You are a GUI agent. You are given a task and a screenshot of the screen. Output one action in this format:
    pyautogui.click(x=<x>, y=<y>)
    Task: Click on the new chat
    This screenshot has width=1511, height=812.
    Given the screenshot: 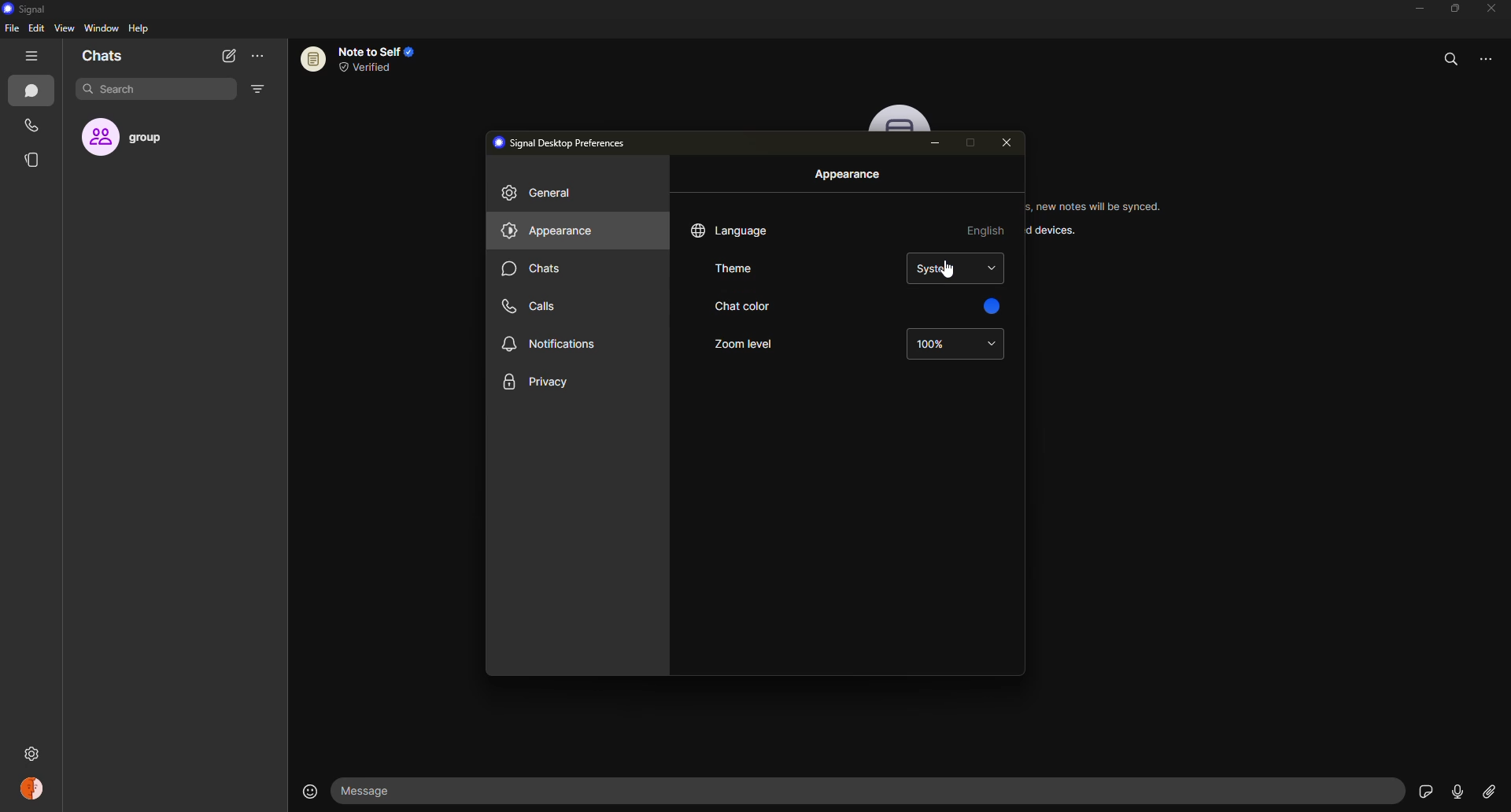 What is the action you would take?
    pyautogui.click(x=228, y=55)
    